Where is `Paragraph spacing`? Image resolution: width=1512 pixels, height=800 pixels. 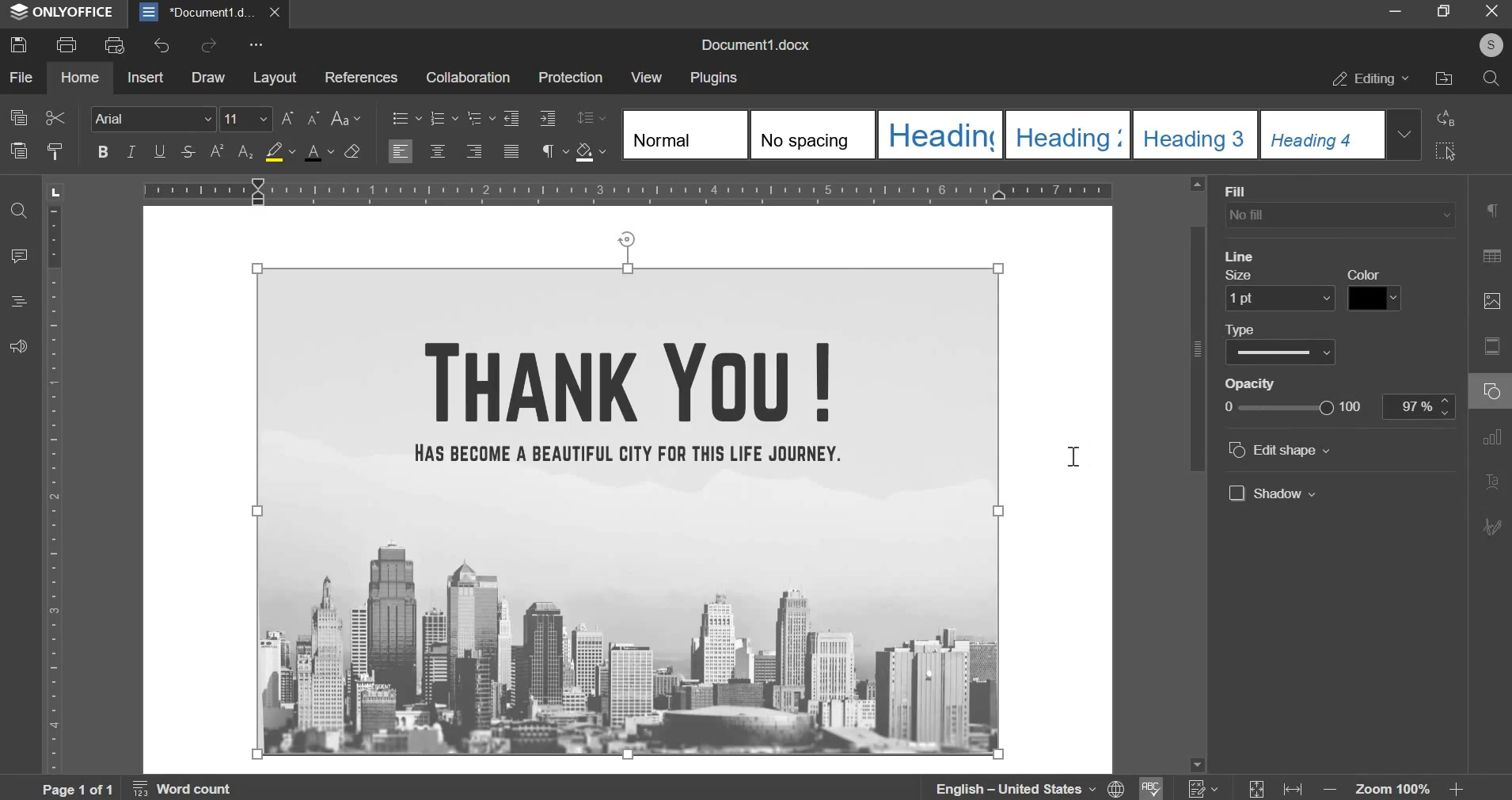 Paragraph spacing is located at coordinates (1286, 248).